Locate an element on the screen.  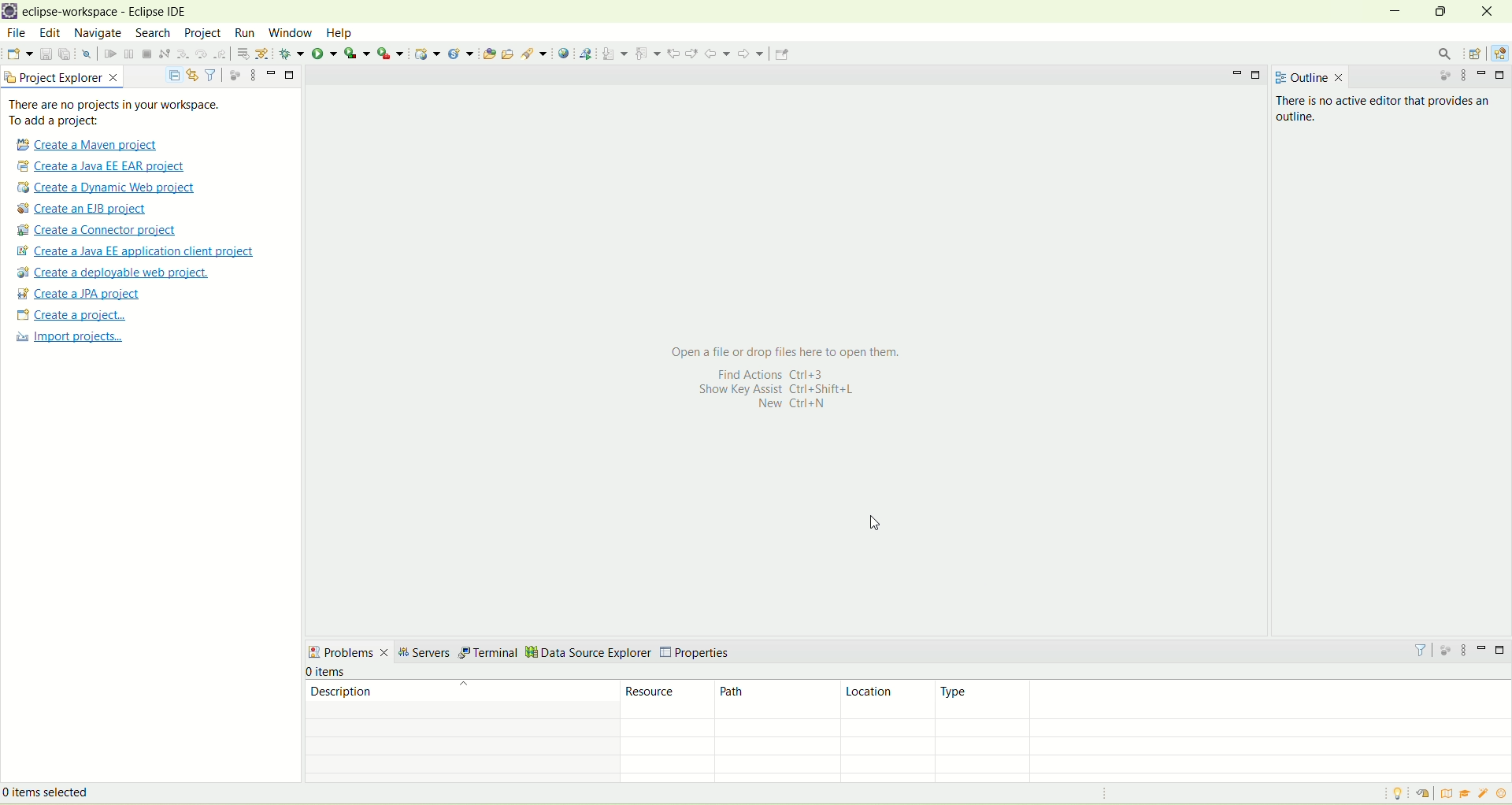
minimize is located at coordinates (1395, 9).